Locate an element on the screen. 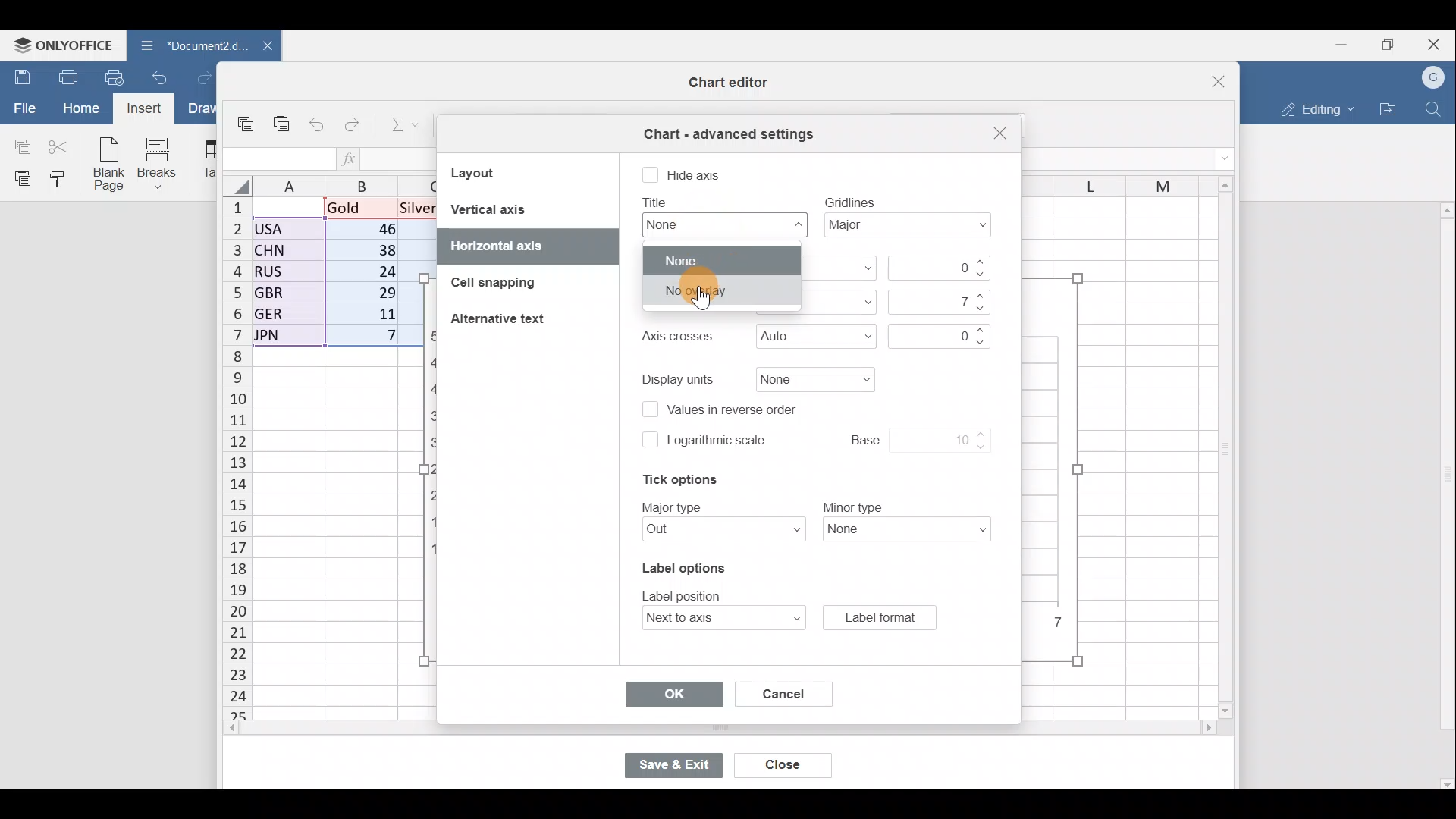  checkbox is located at coordinates (648, 411).